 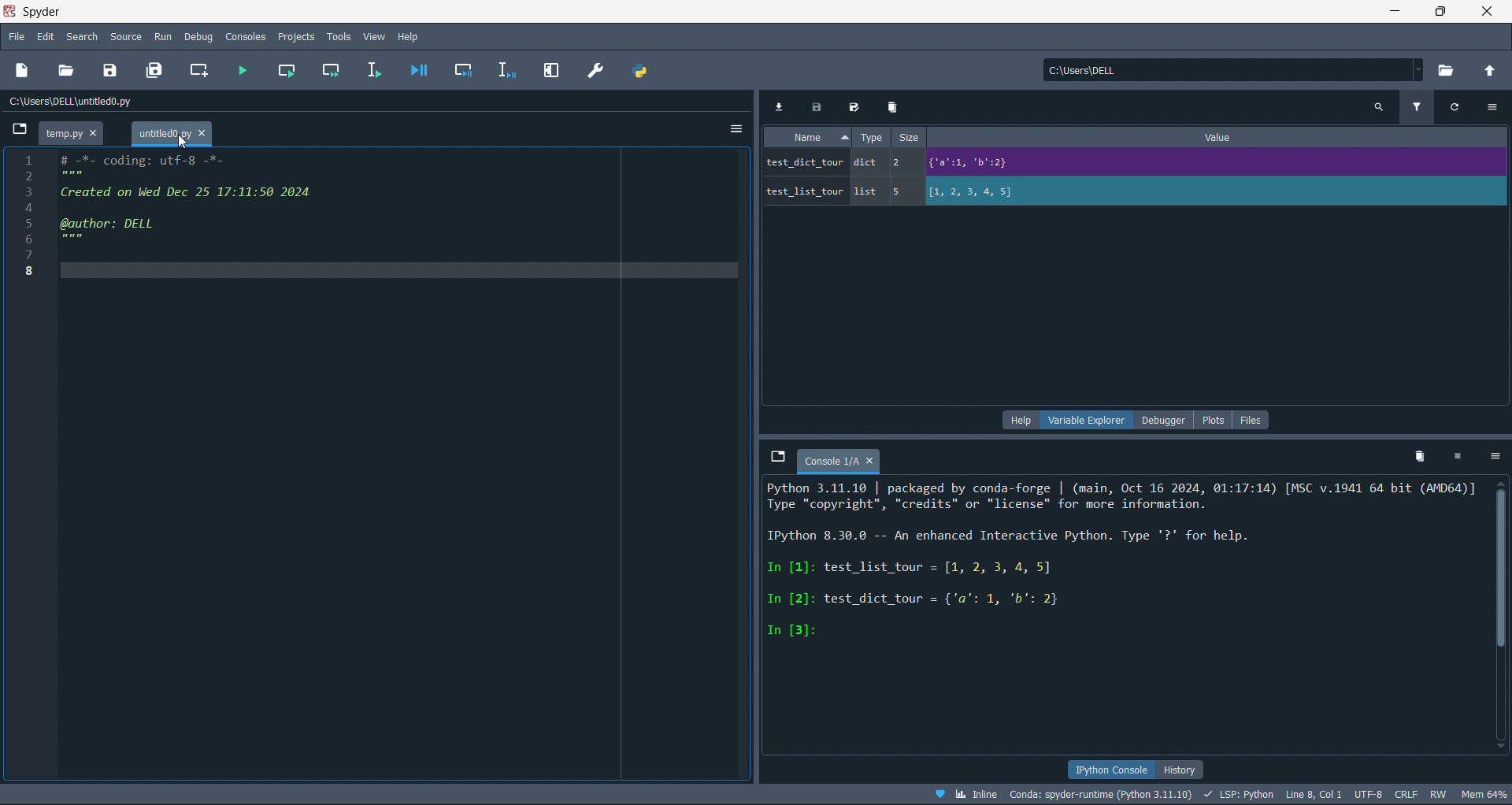 What do you see at coordinates (895, 107) in the screenshot?
I see `remove variable` at bounding box center [895, 107].